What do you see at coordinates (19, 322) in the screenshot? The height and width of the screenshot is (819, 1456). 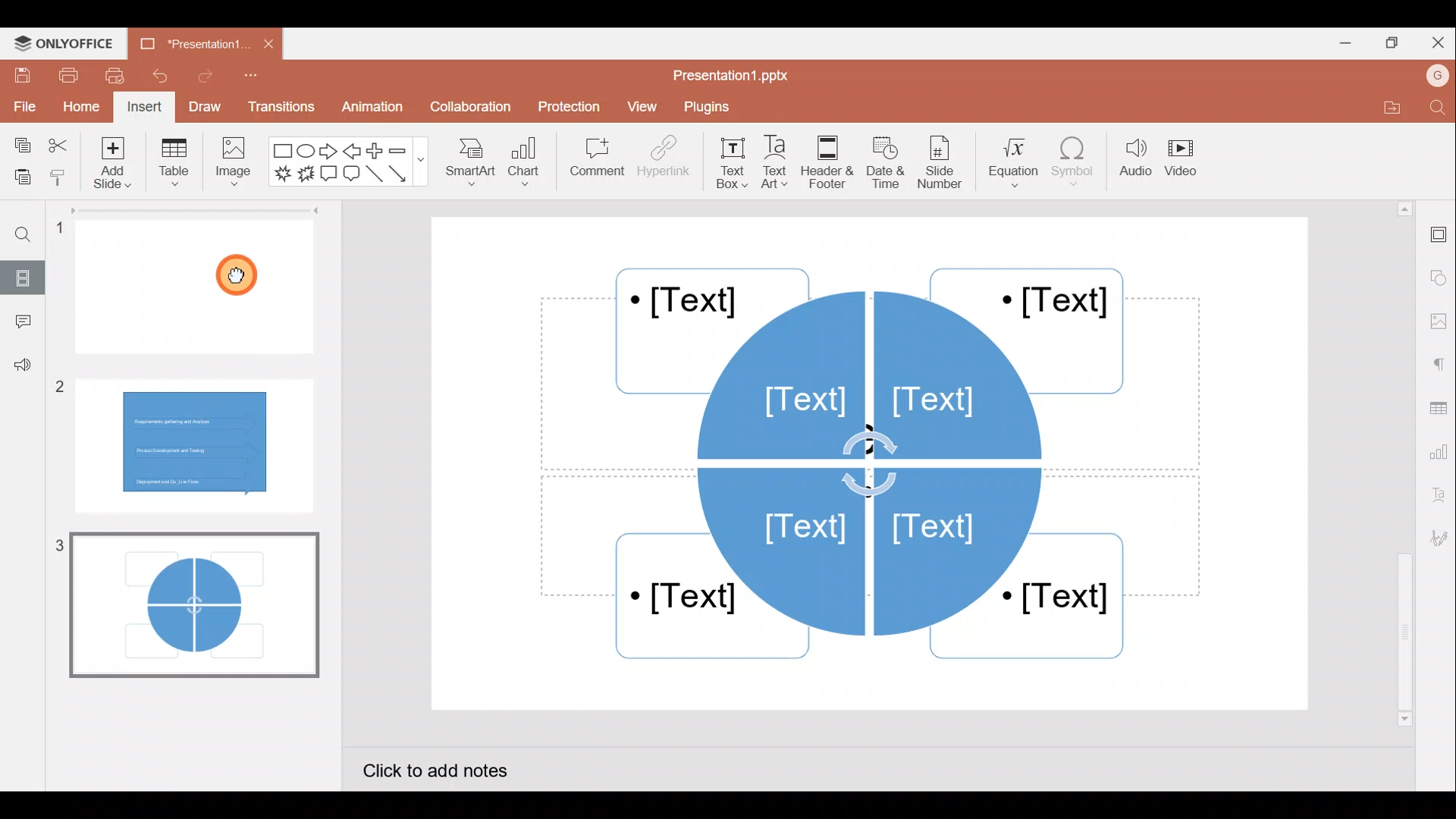 I see `Comment` at bounding box center [19, 322].